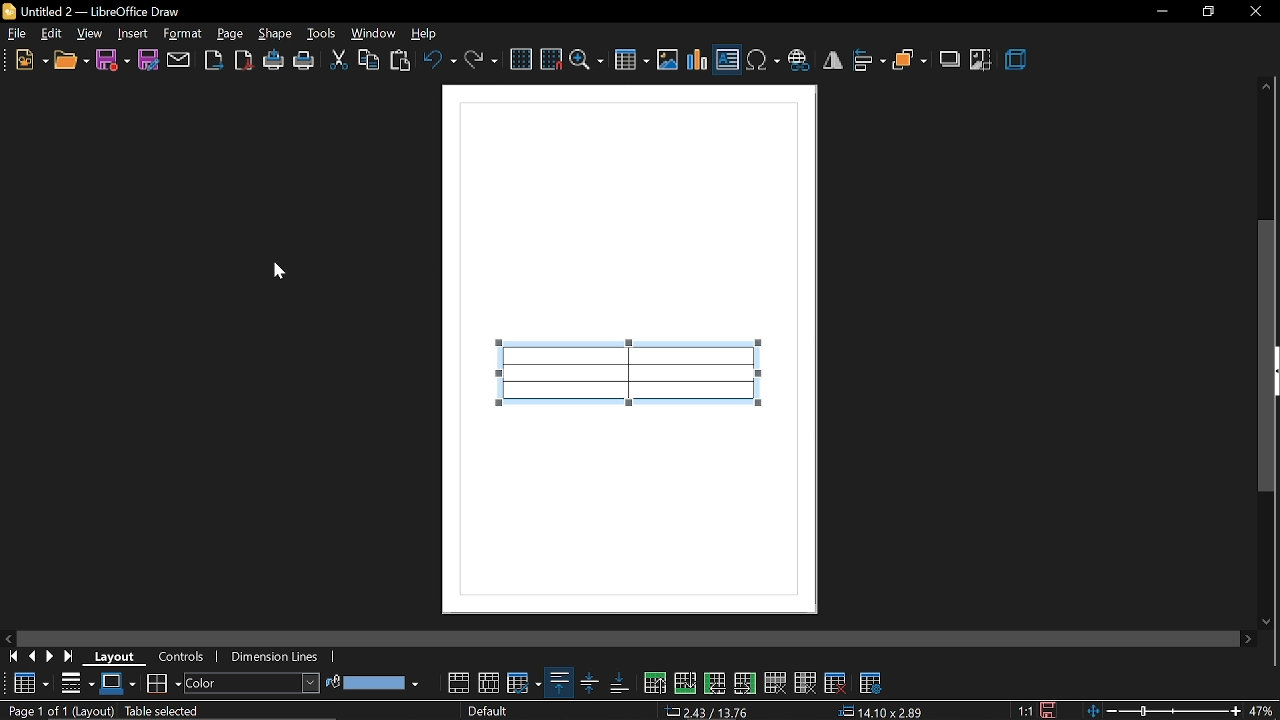 The image size is (1280, 720). I want to click on page, so click(232, 34).